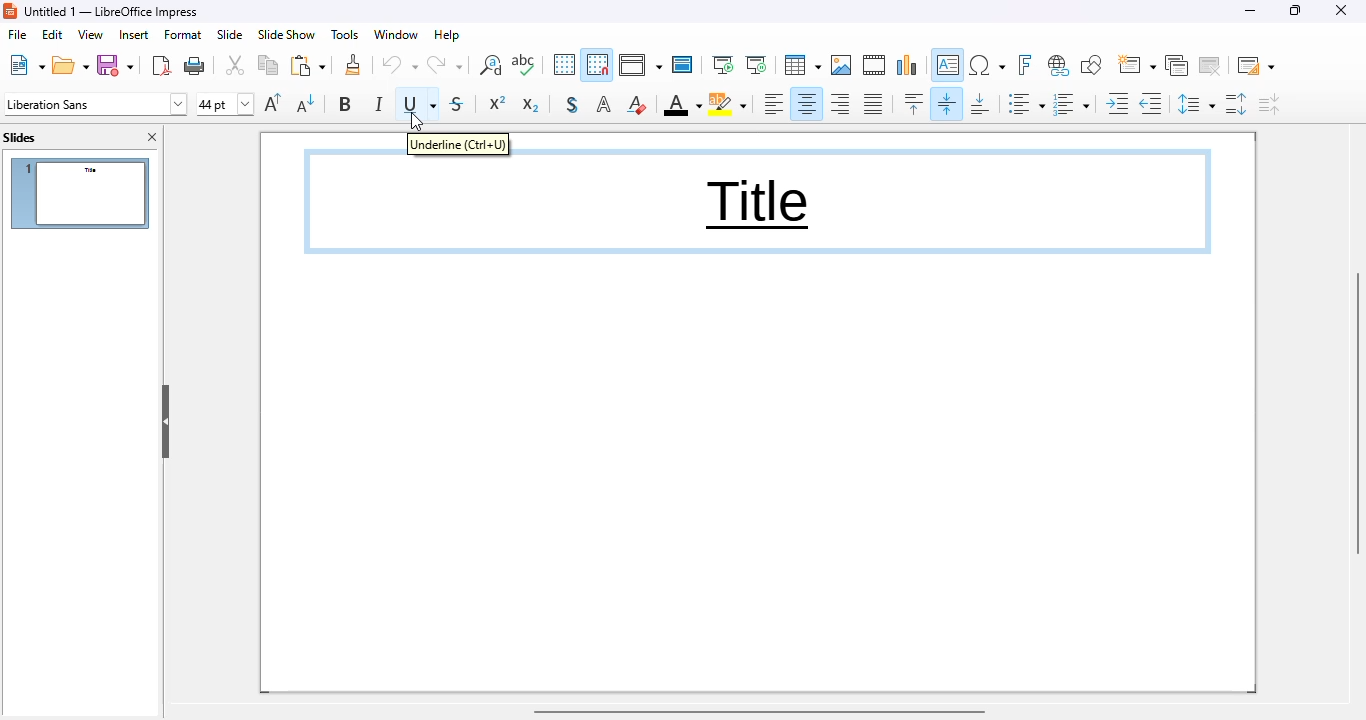 The height and width of the screenshot is (720, 1366). What do you see at coordinates (1118, 104) in the screenshot?
I see `increase indent` at bounding box center [1118, 104].